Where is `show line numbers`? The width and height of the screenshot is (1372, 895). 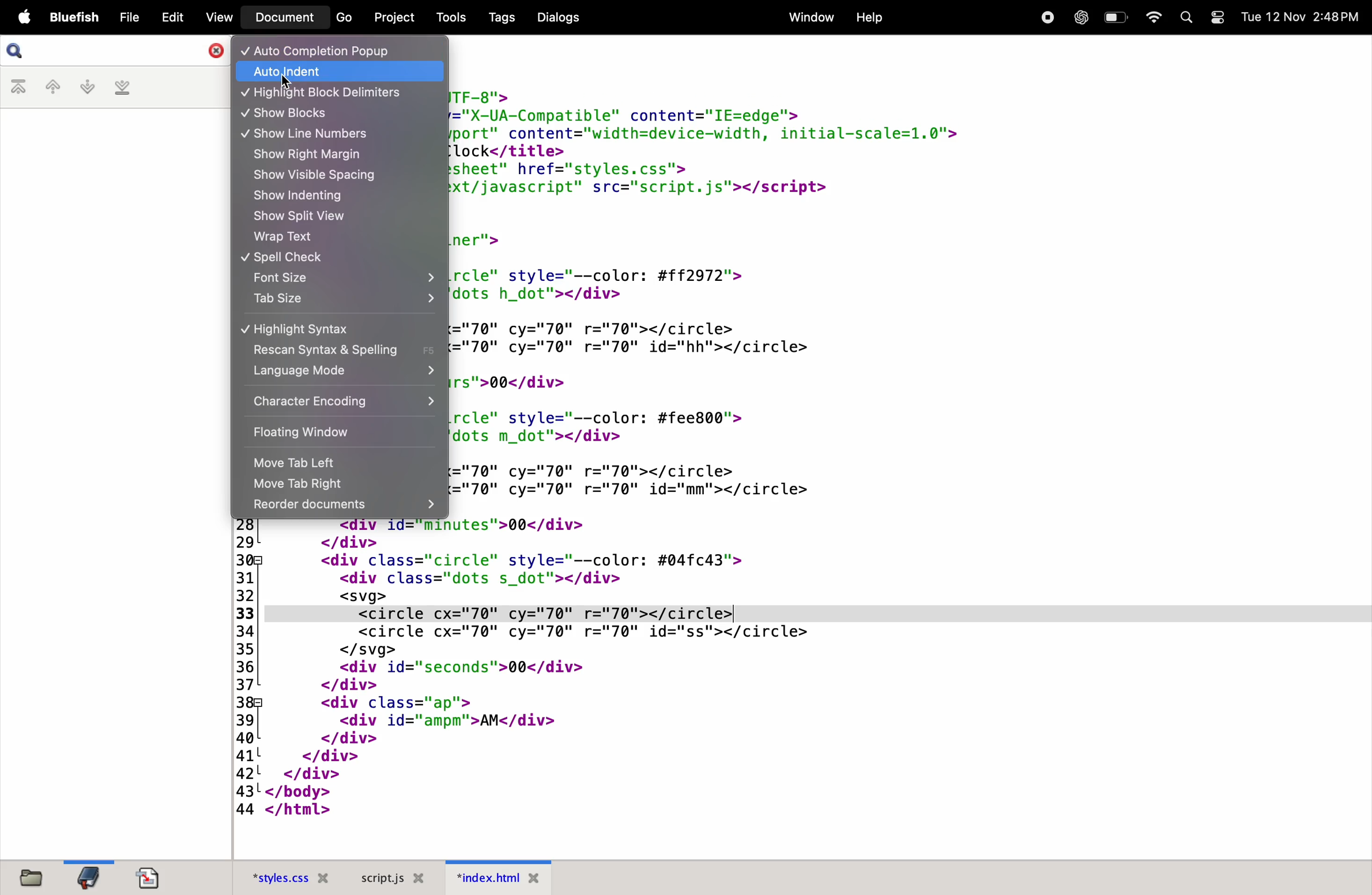 show line numbers is located at coordinates (336, 135).